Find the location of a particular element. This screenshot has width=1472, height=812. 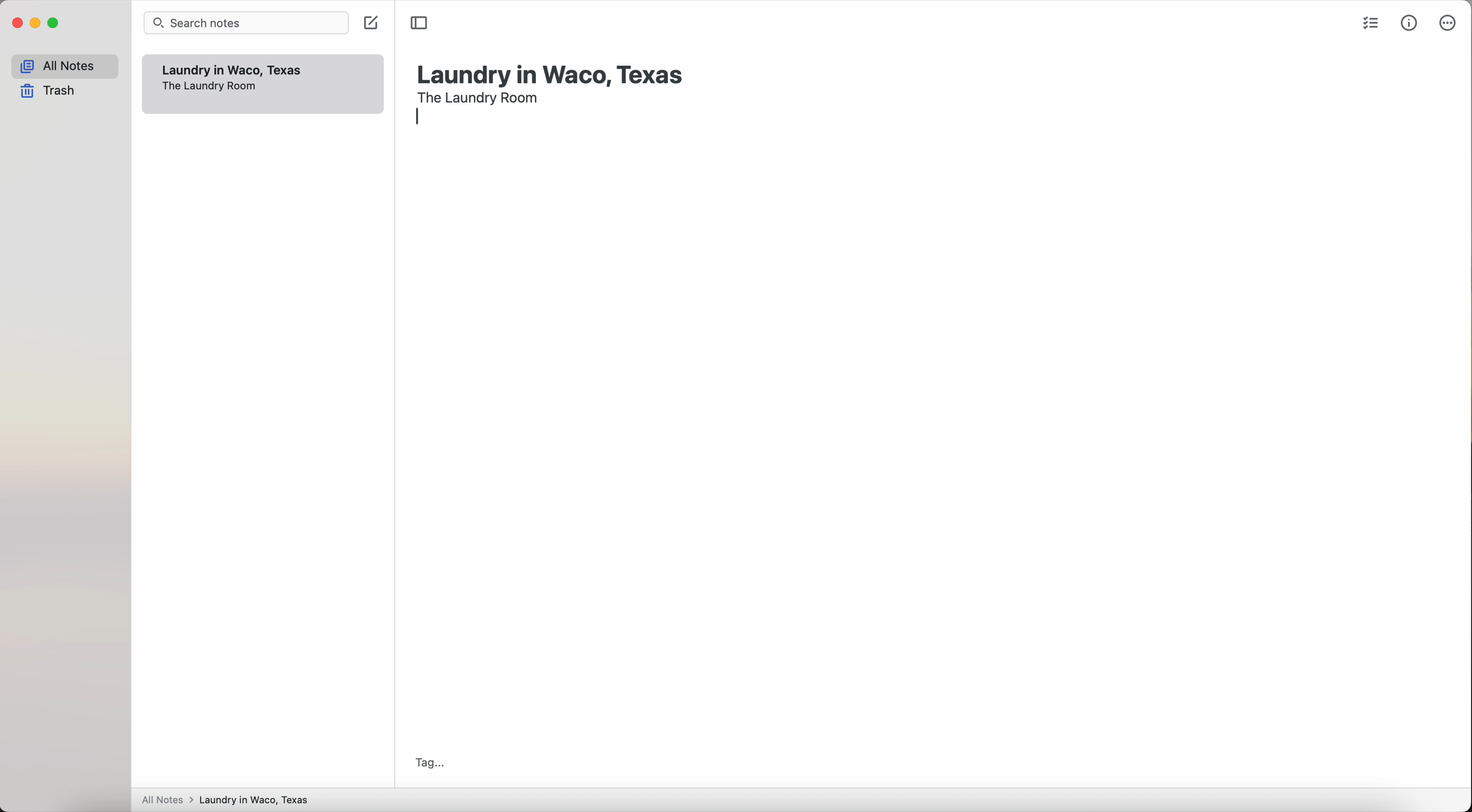

minimize app is located at coordinates (36, 23).